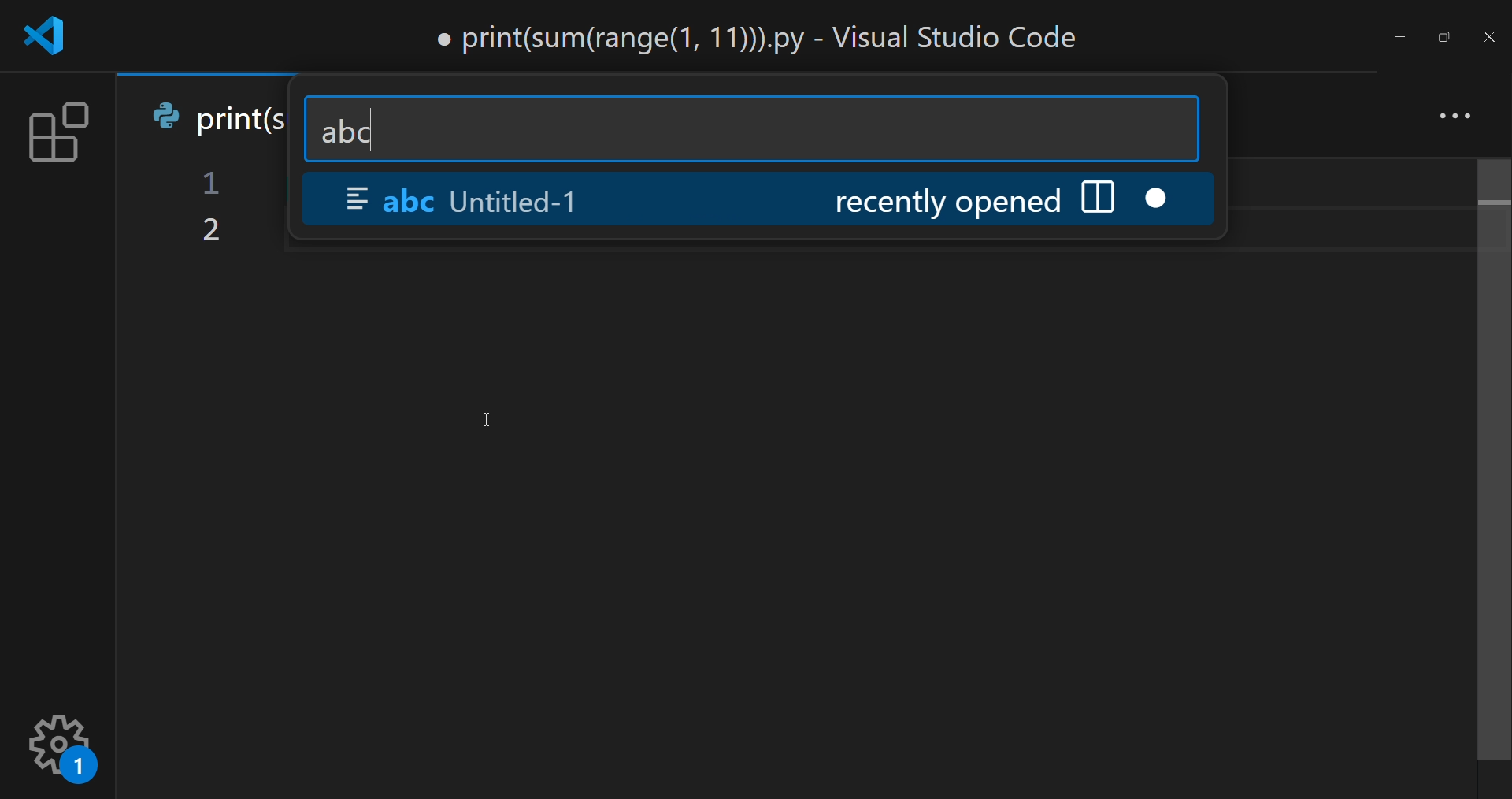 The image size is (1512, 799). What do you see at coordinates (1486, 455) in the screenshot?
I see `scroll bar` at bounding box center [1486, 455].